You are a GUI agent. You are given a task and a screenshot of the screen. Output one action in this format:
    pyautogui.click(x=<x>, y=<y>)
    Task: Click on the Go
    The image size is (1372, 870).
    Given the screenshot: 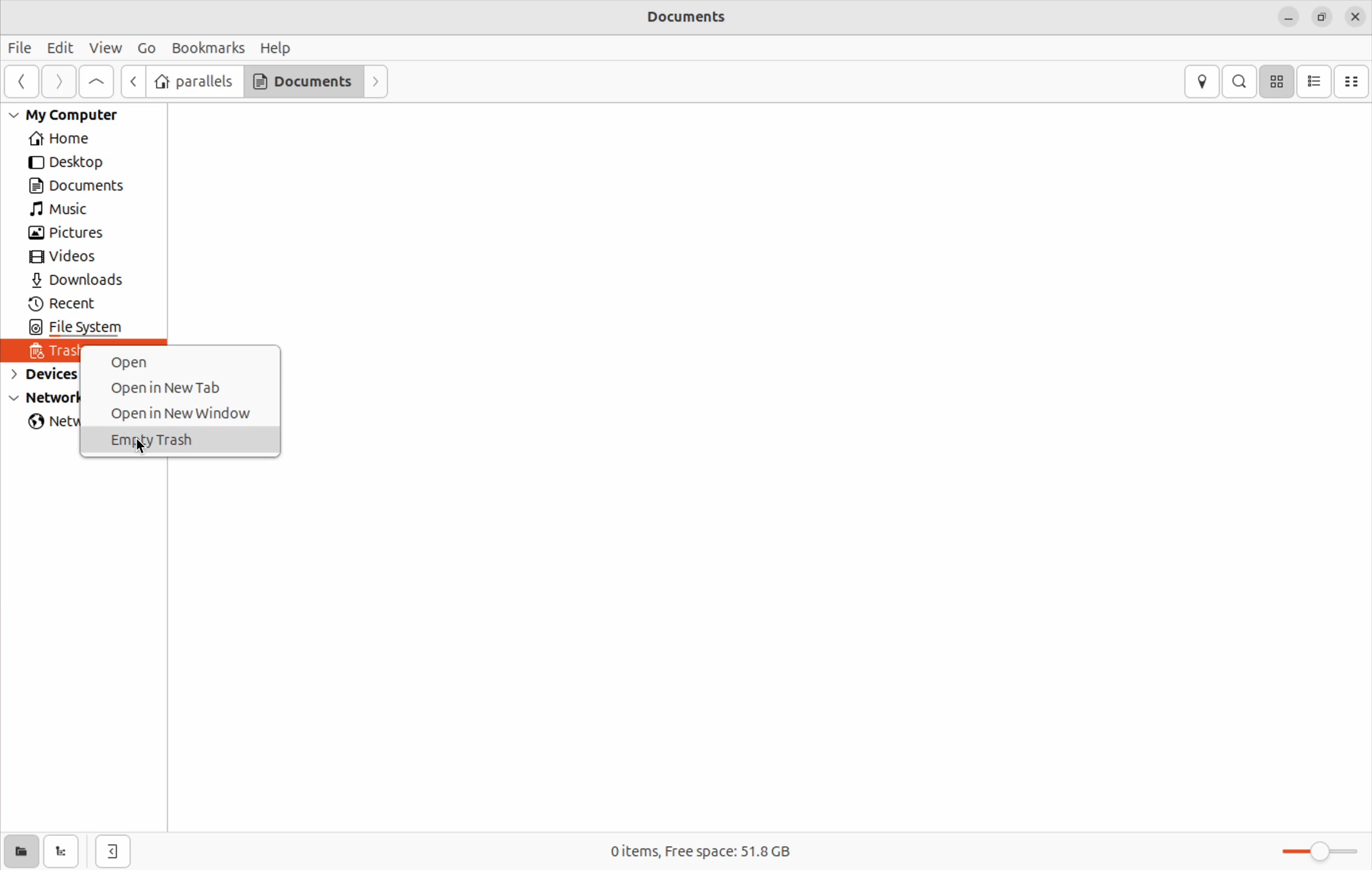 What is the action you would take?
    pyautogui.click(x=149, y=47)
    